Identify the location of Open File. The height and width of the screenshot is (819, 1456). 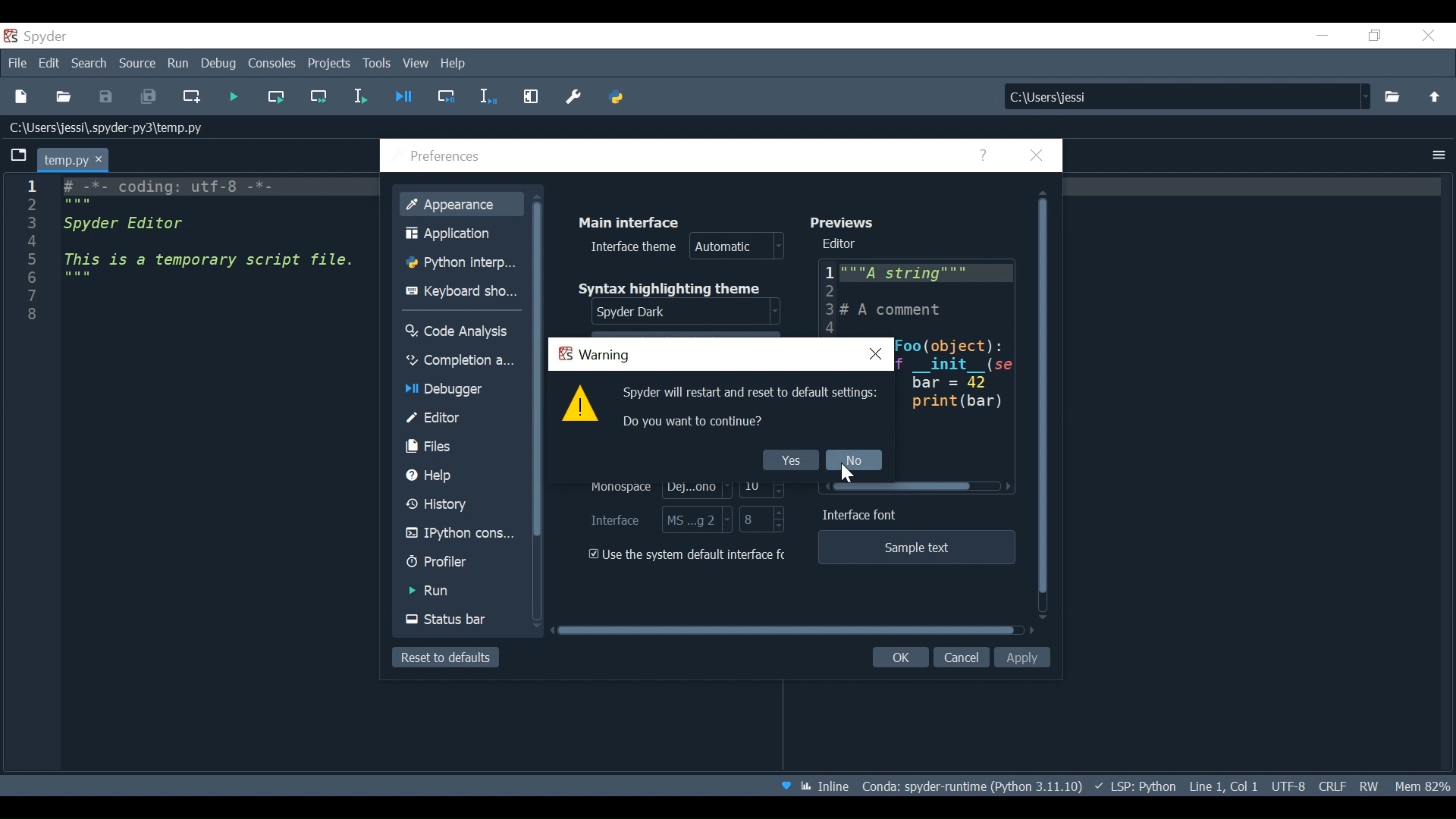
(62, 99).